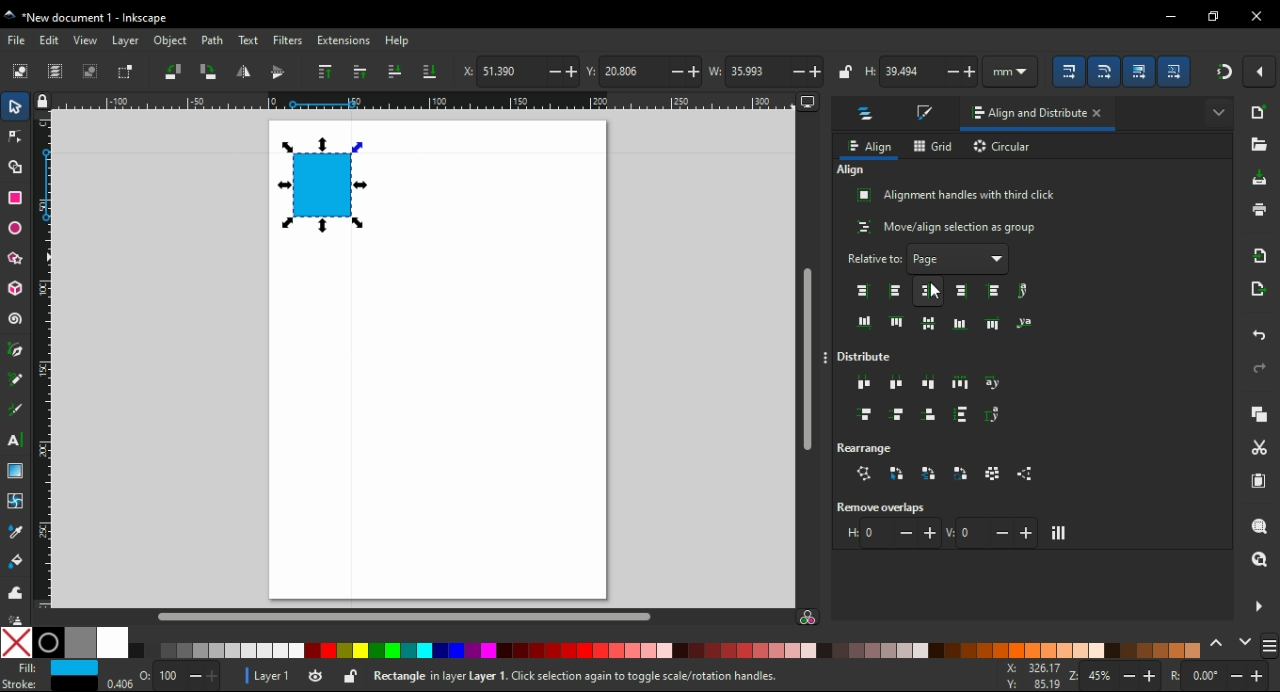  What do you see at coordinates (897, 473) in the screenshot?
I see `exchange positions of selected objects - selection order - selection order` at bounding box center [897, 473].